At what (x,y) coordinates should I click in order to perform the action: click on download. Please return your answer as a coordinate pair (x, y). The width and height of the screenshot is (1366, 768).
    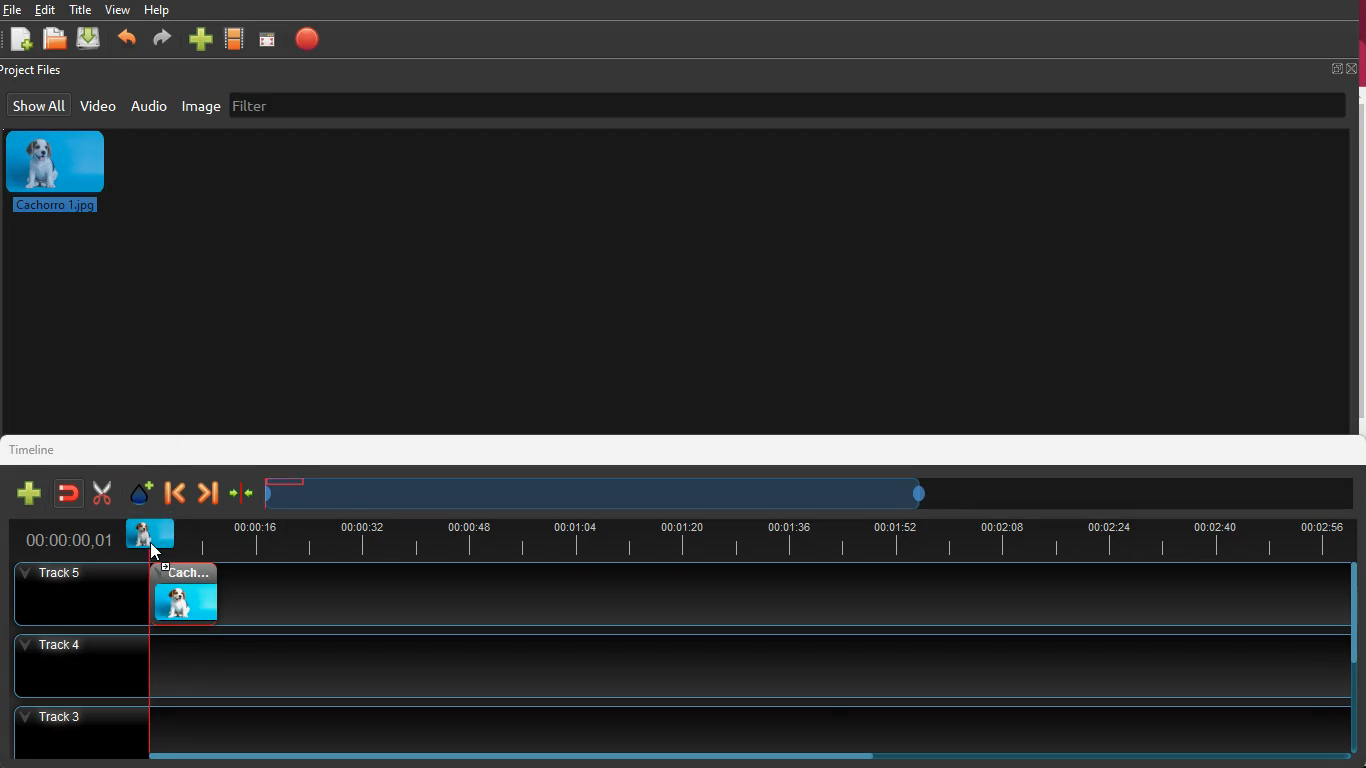
    Looking at the image, I should click on (90, 37).